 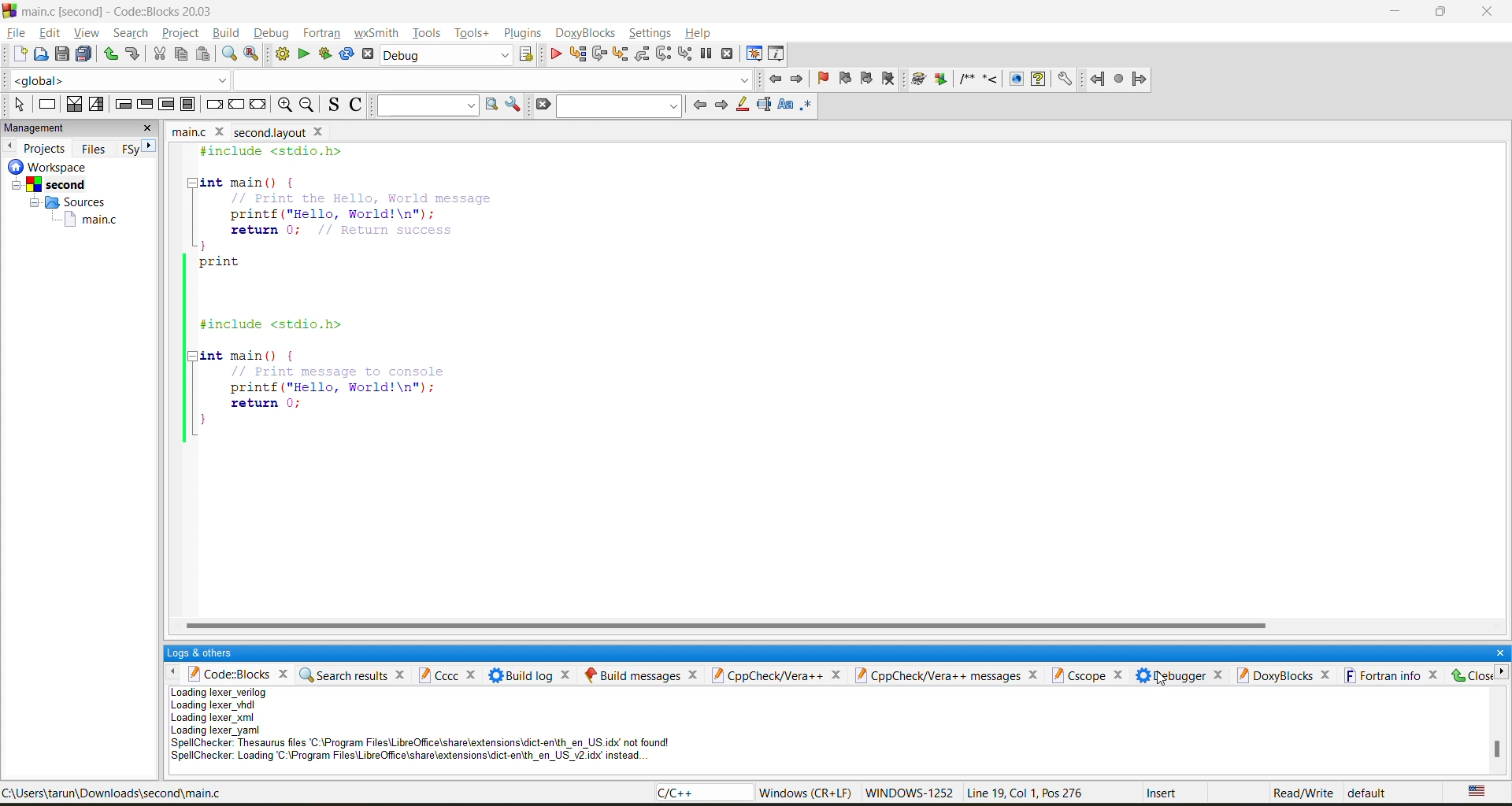 What do you see at coordinates (227, 56) in the screenshot?
I see `find` at bounding box center [227, 56].